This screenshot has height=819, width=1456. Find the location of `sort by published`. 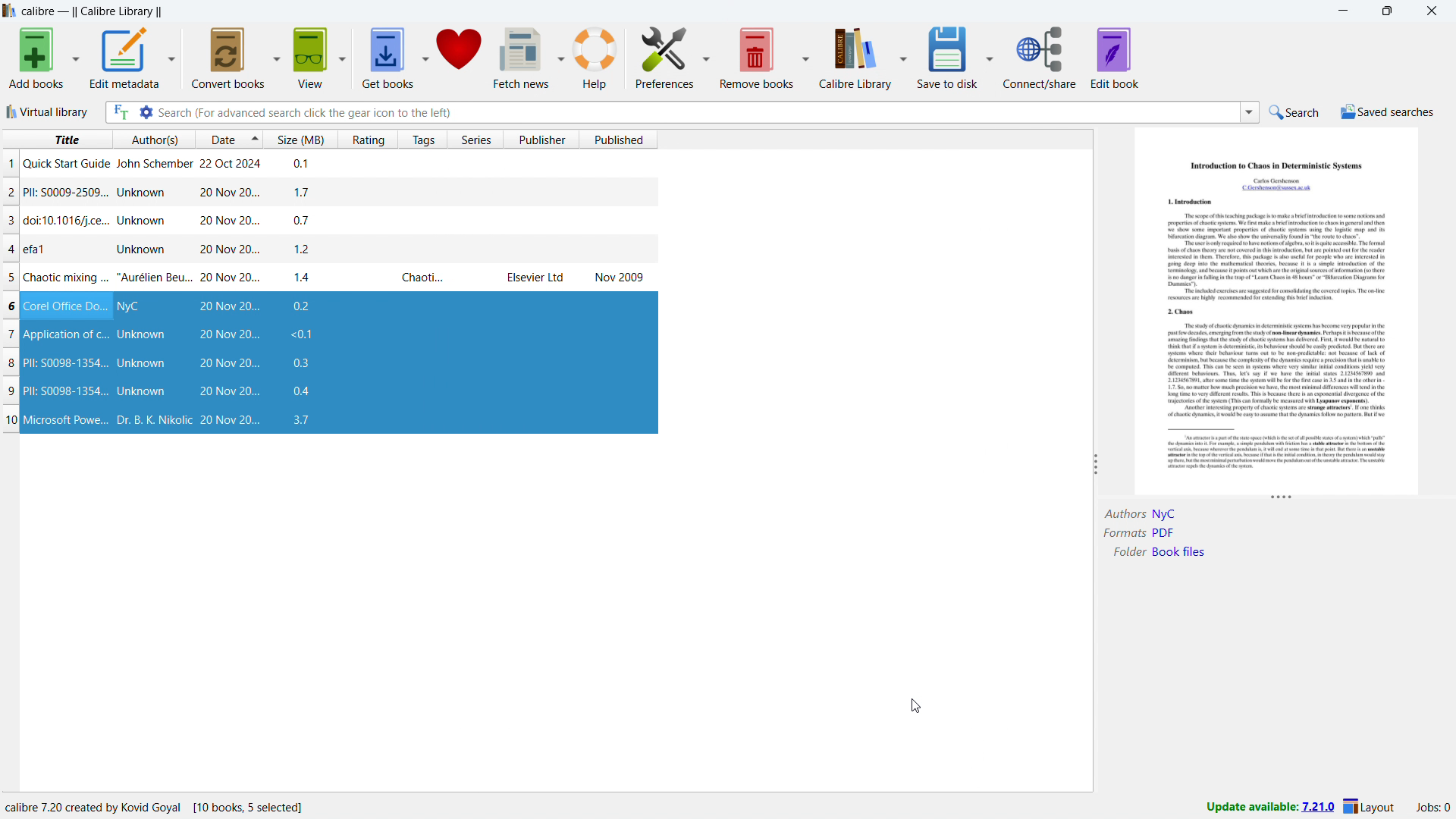

sort by published is located at coordinates (610, 140).